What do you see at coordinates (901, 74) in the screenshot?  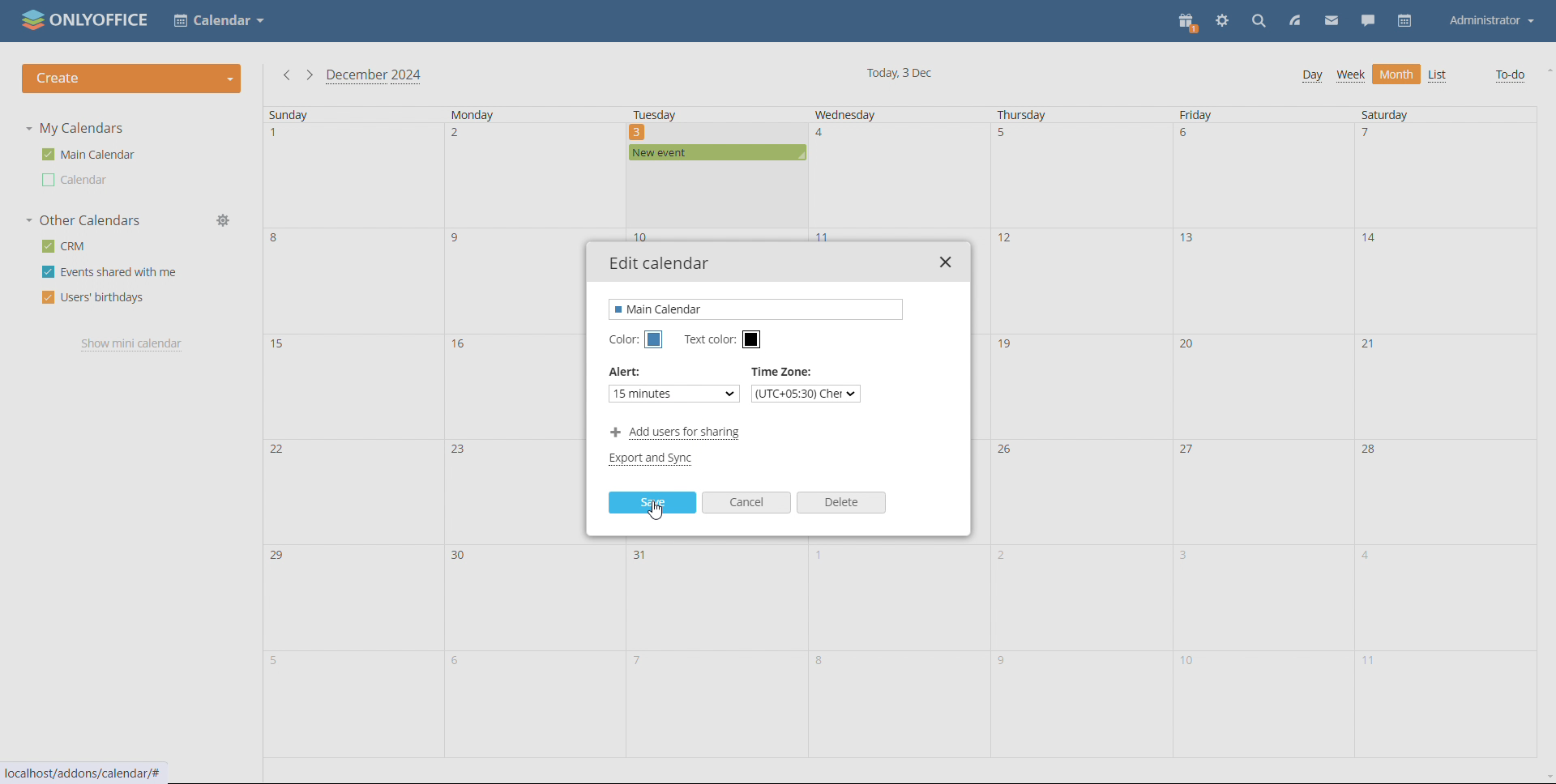 I see `current date` at bounding box center [901, 74].